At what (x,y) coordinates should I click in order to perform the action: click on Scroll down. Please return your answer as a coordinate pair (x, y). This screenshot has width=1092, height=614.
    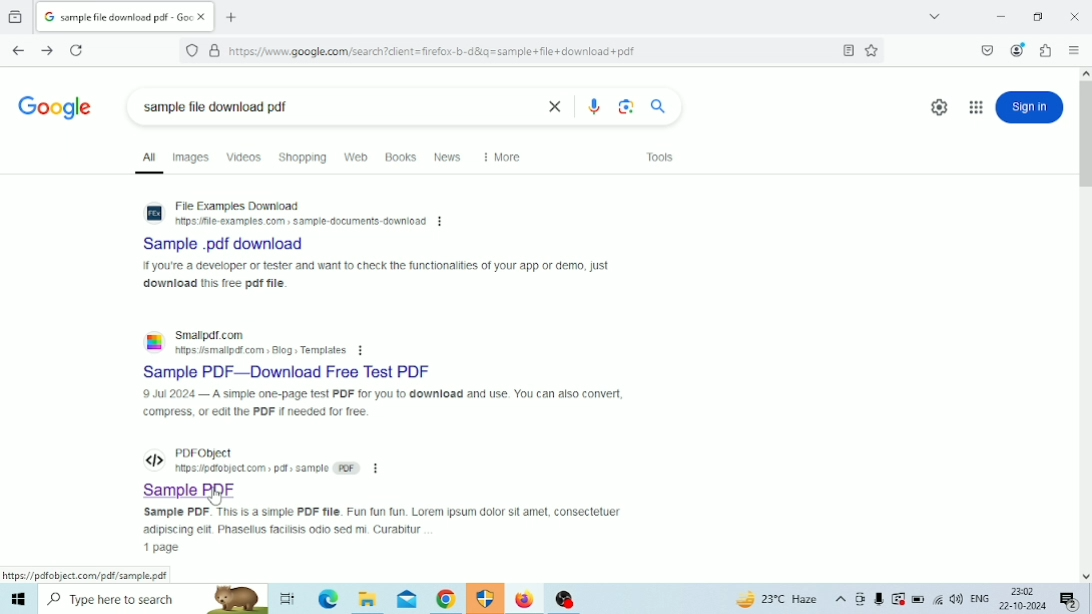
    Looking at the image, I should click on (1085, 575).